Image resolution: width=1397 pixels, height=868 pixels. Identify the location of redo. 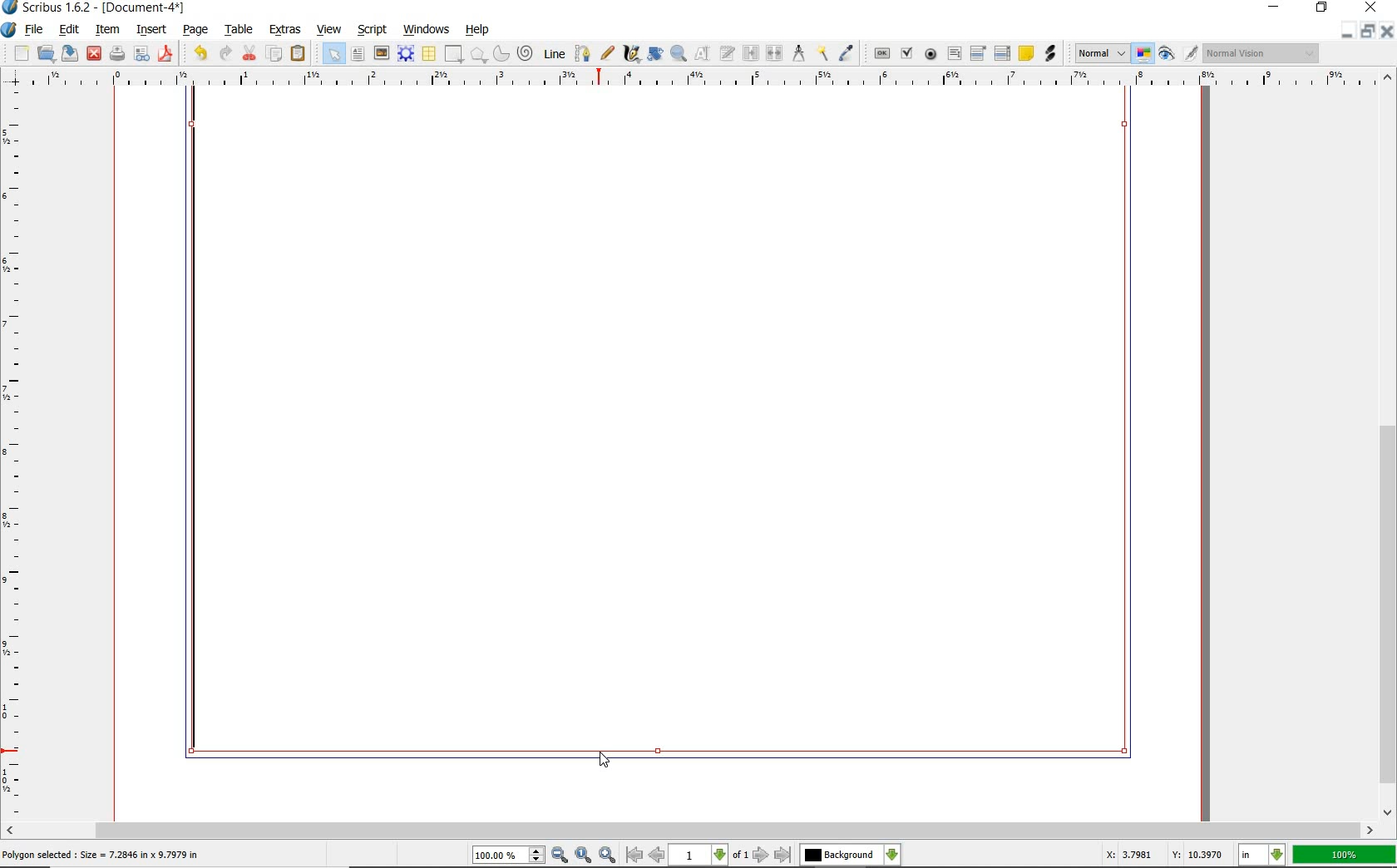
(227, 53).